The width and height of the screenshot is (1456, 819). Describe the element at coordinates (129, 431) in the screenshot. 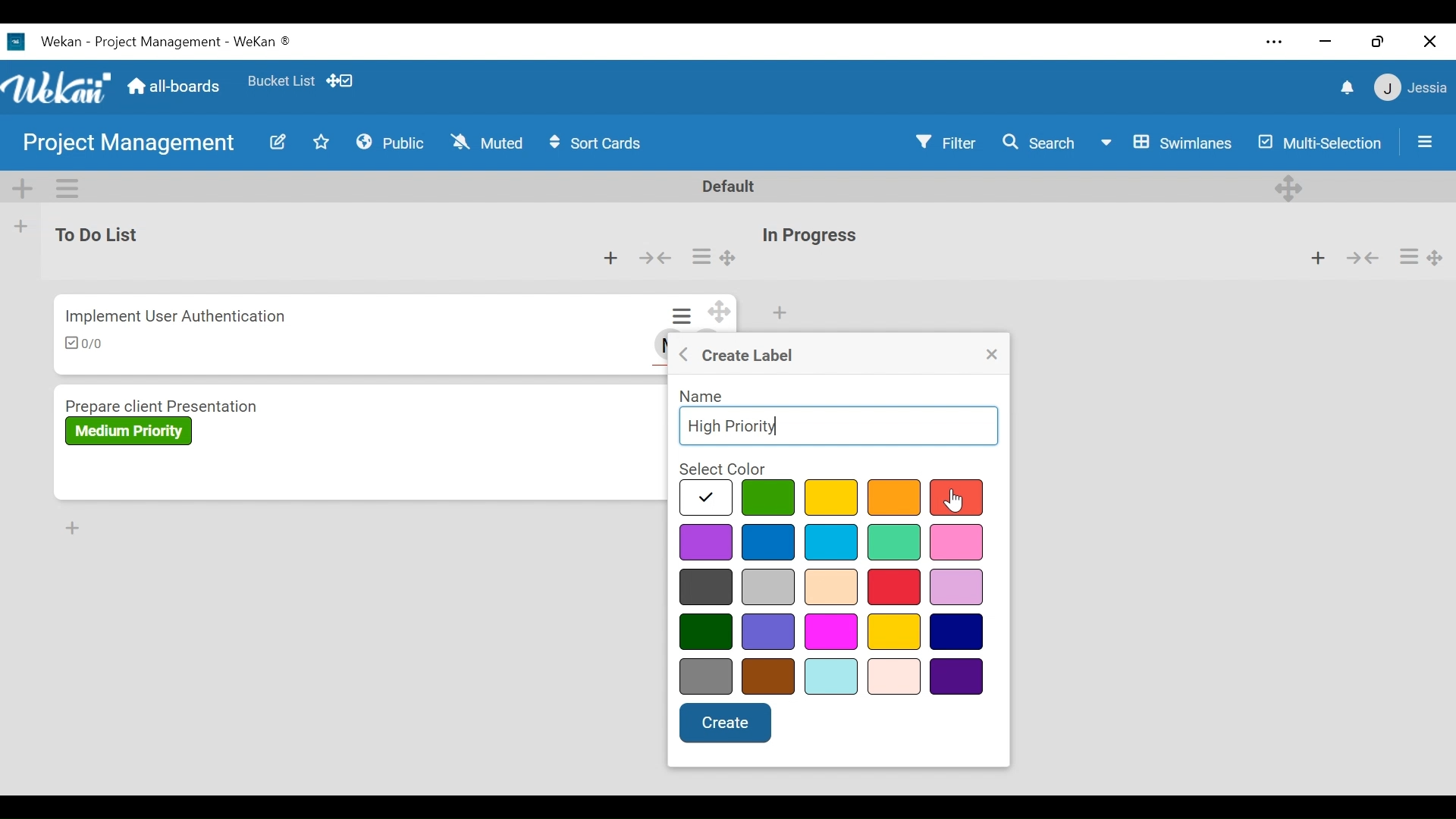

I see `Label` at that location.